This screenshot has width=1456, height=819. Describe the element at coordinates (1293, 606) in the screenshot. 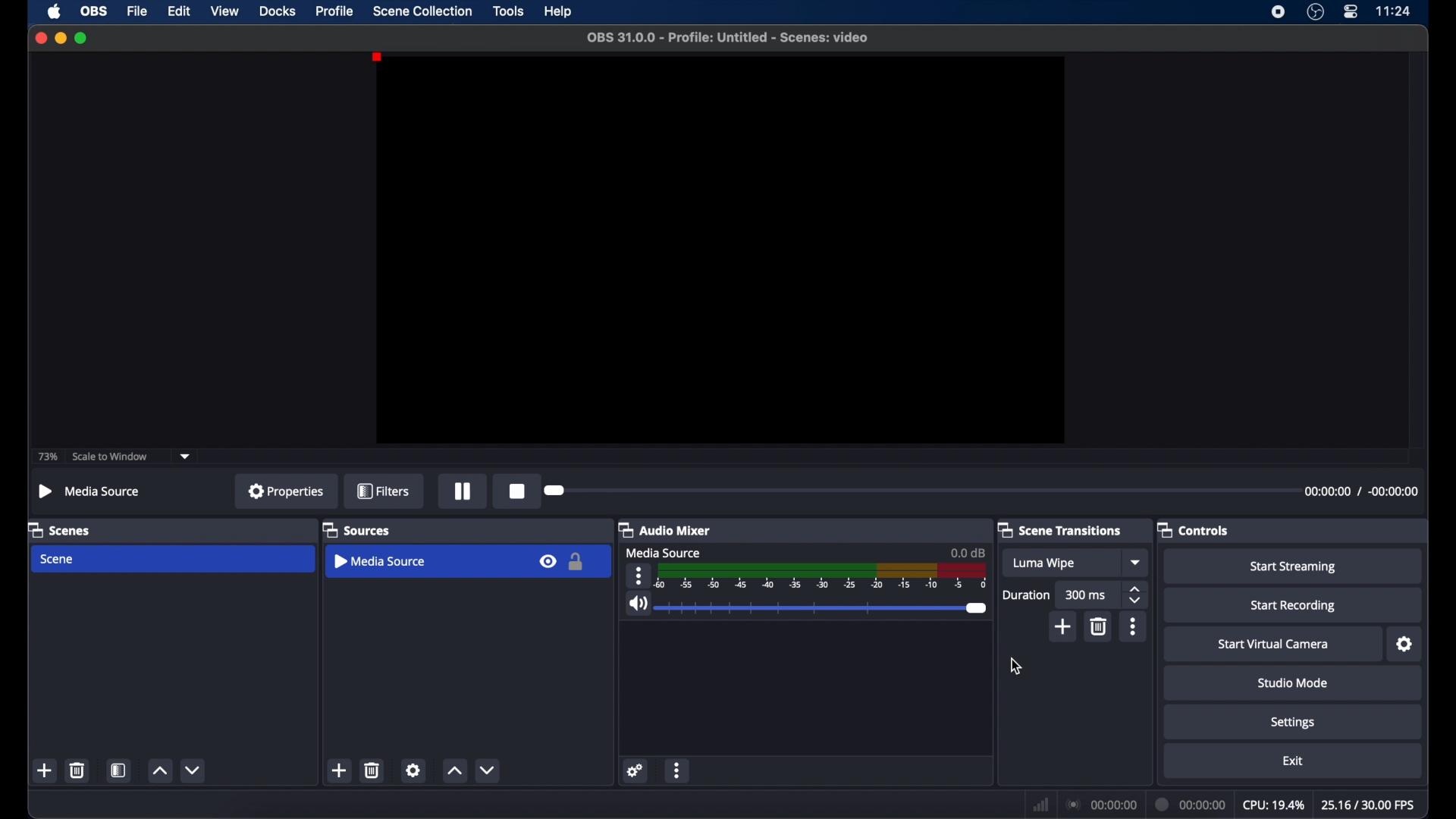

I see `start recording` at that location.